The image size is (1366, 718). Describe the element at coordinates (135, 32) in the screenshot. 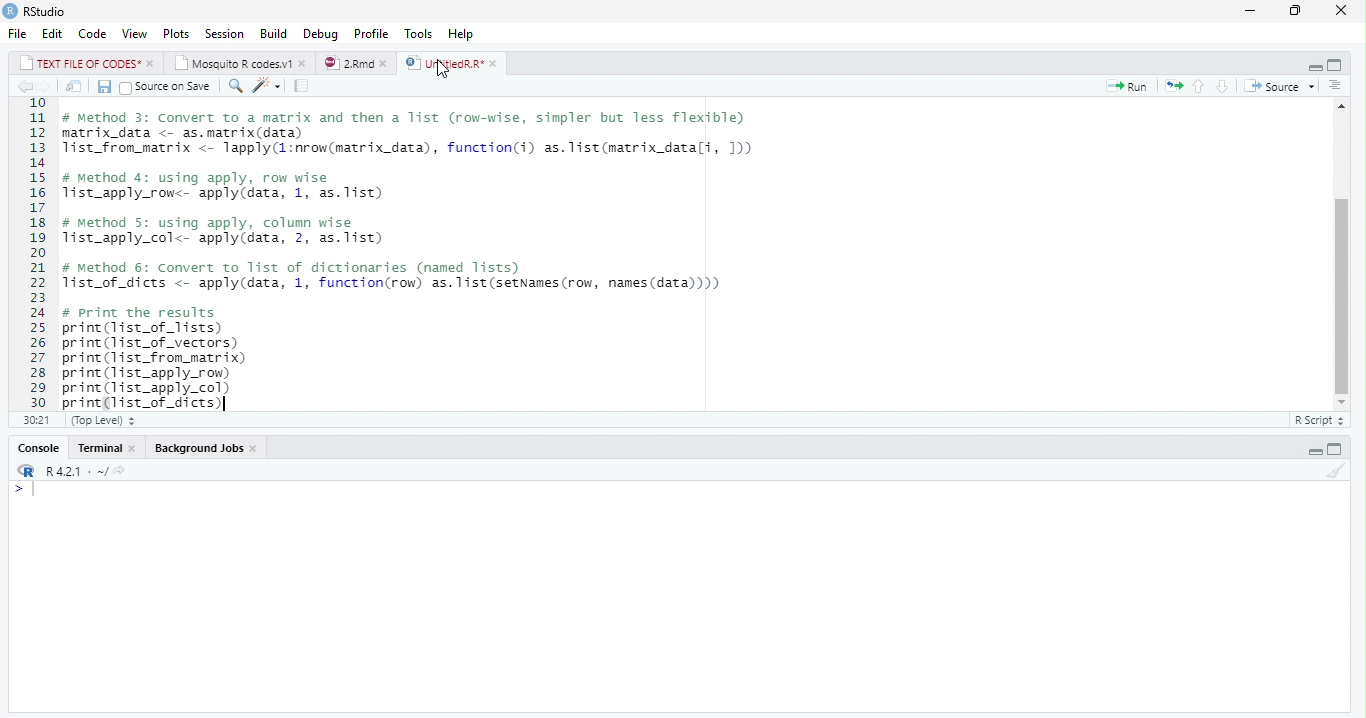

I see `View` at that location.